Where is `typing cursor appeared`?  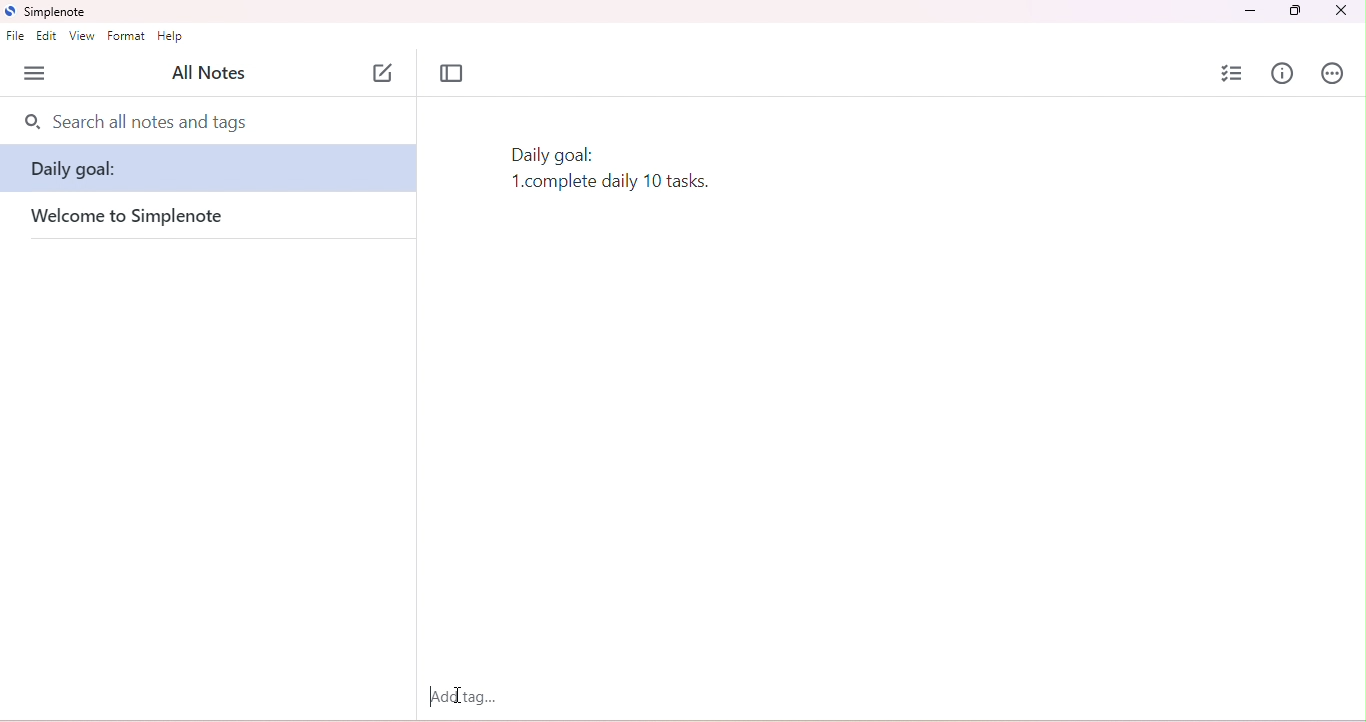
typing cursor appeared is located at coordinates (429, 696).